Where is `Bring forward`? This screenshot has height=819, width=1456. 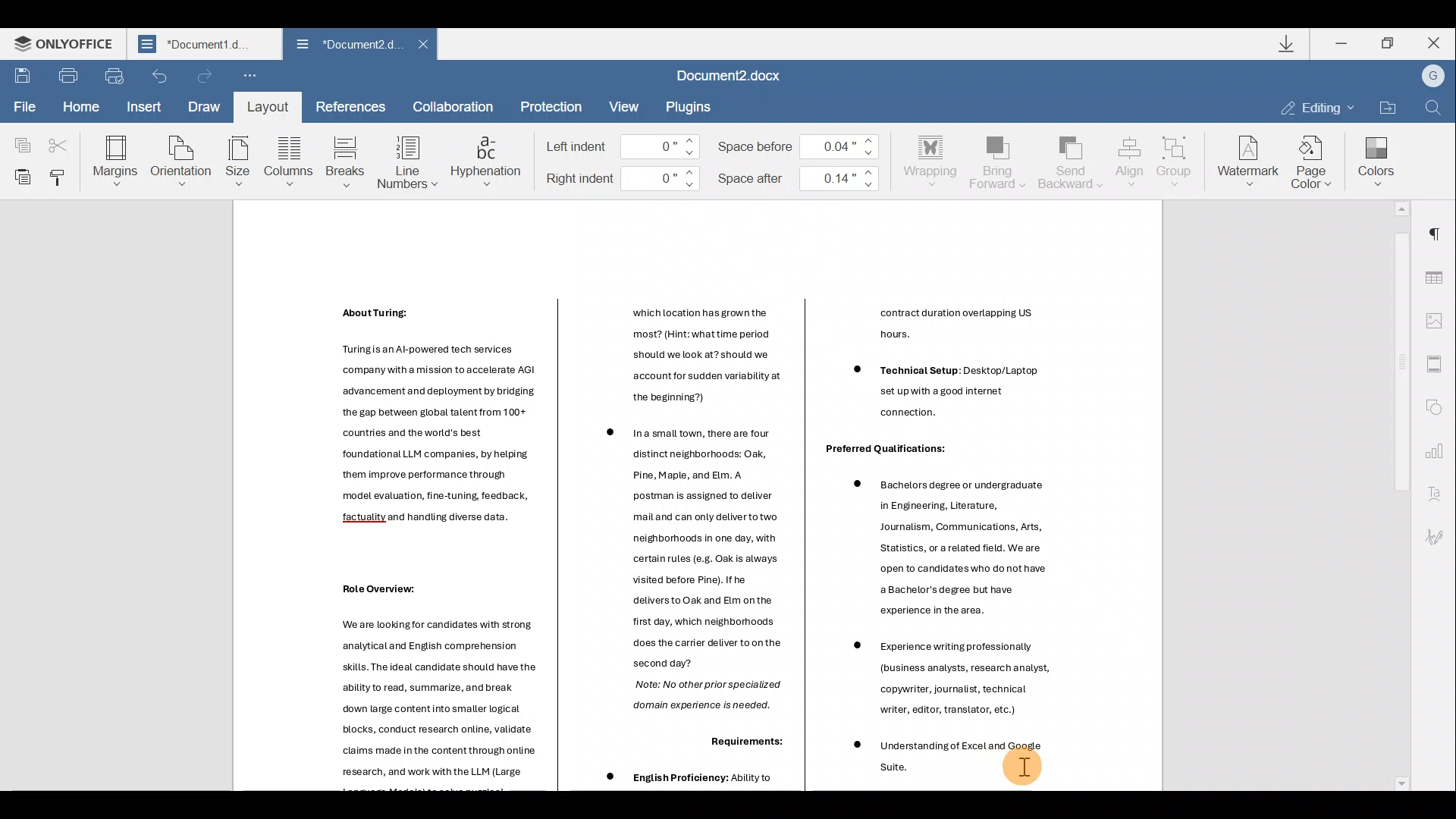 Bring forward is located at coordinates (998, 160).